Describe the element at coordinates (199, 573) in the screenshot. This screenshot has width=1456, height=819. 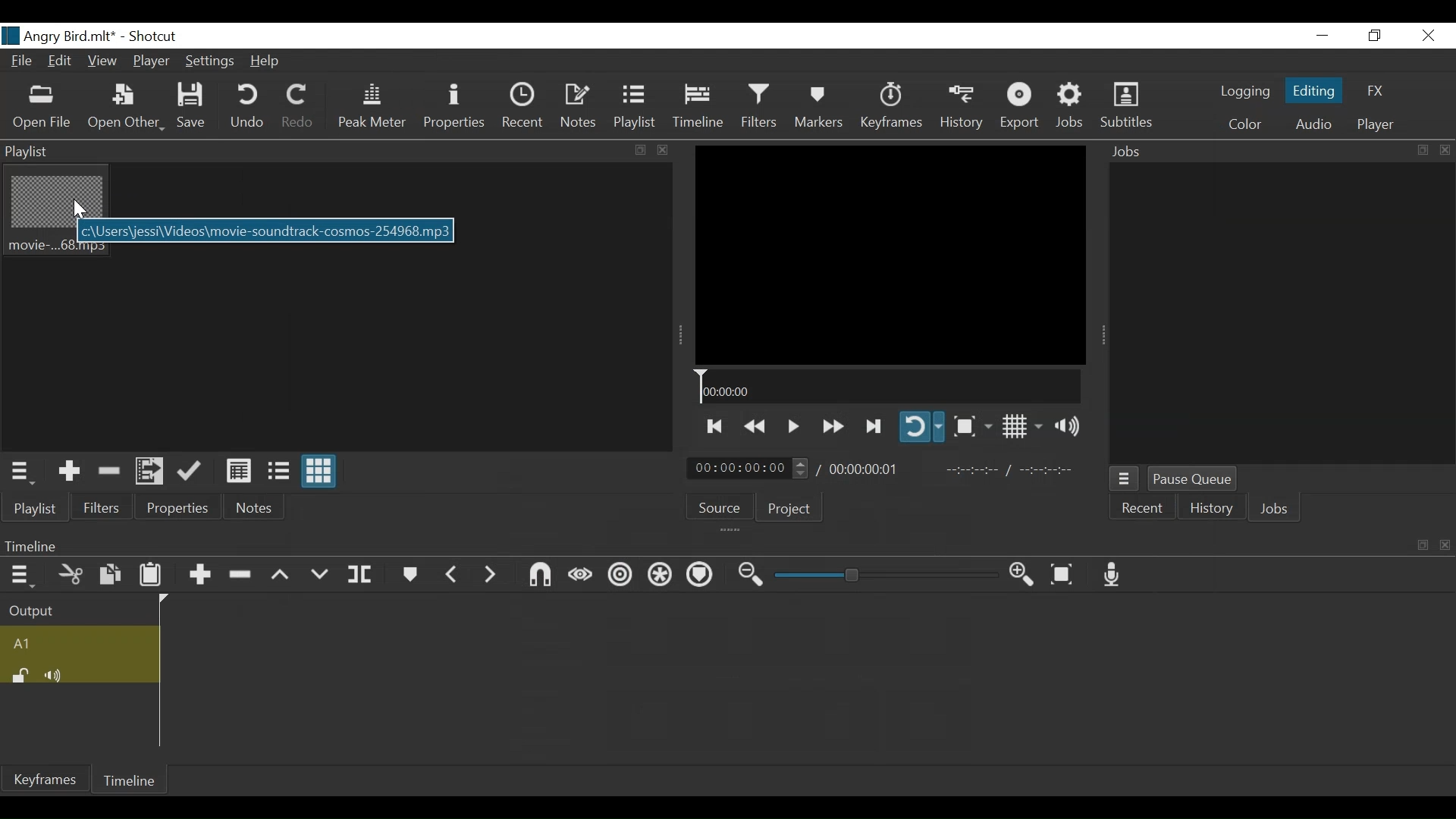
I see `Append` at that location.